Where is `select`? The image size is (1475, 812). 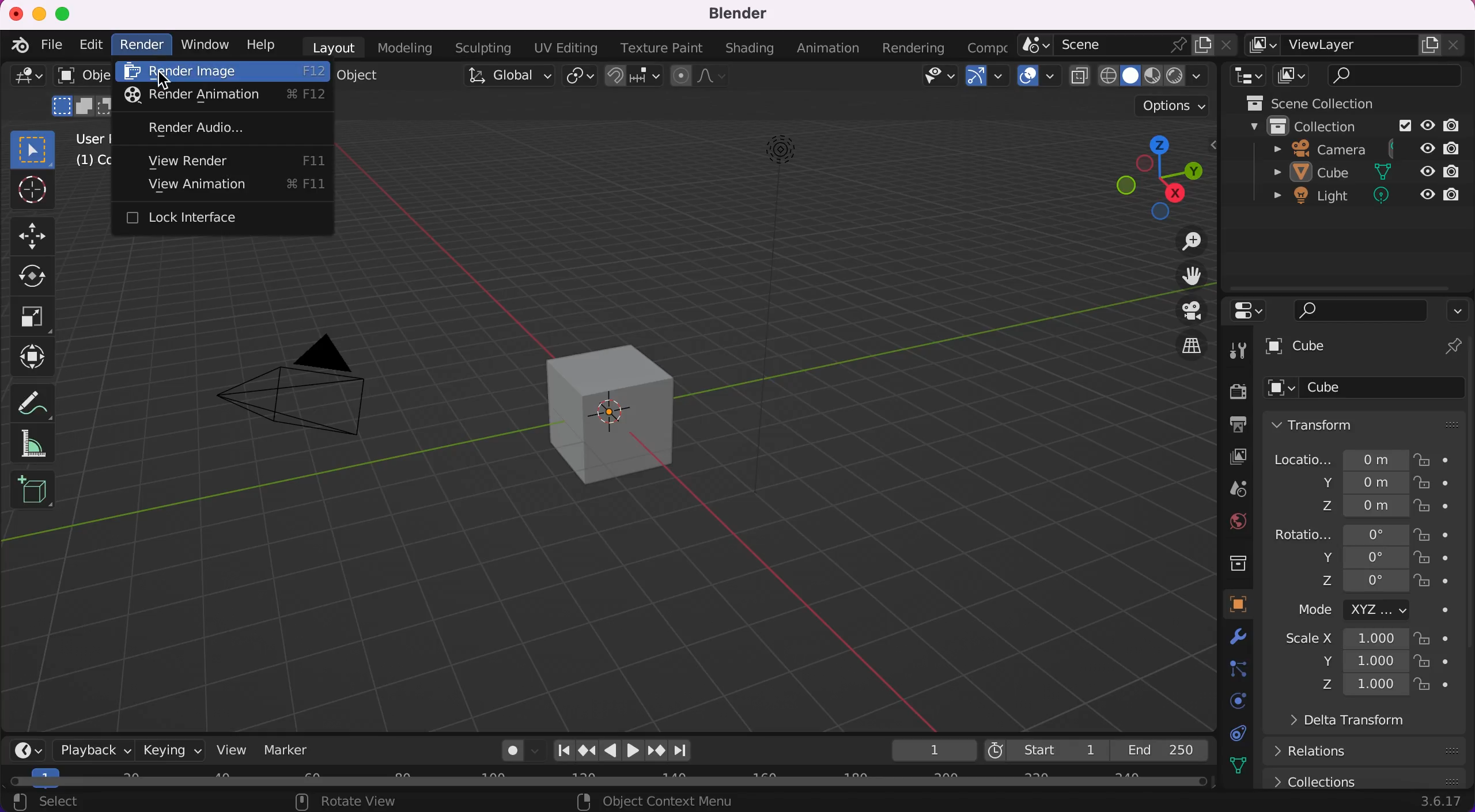
select is located at coordinates (72, 800).